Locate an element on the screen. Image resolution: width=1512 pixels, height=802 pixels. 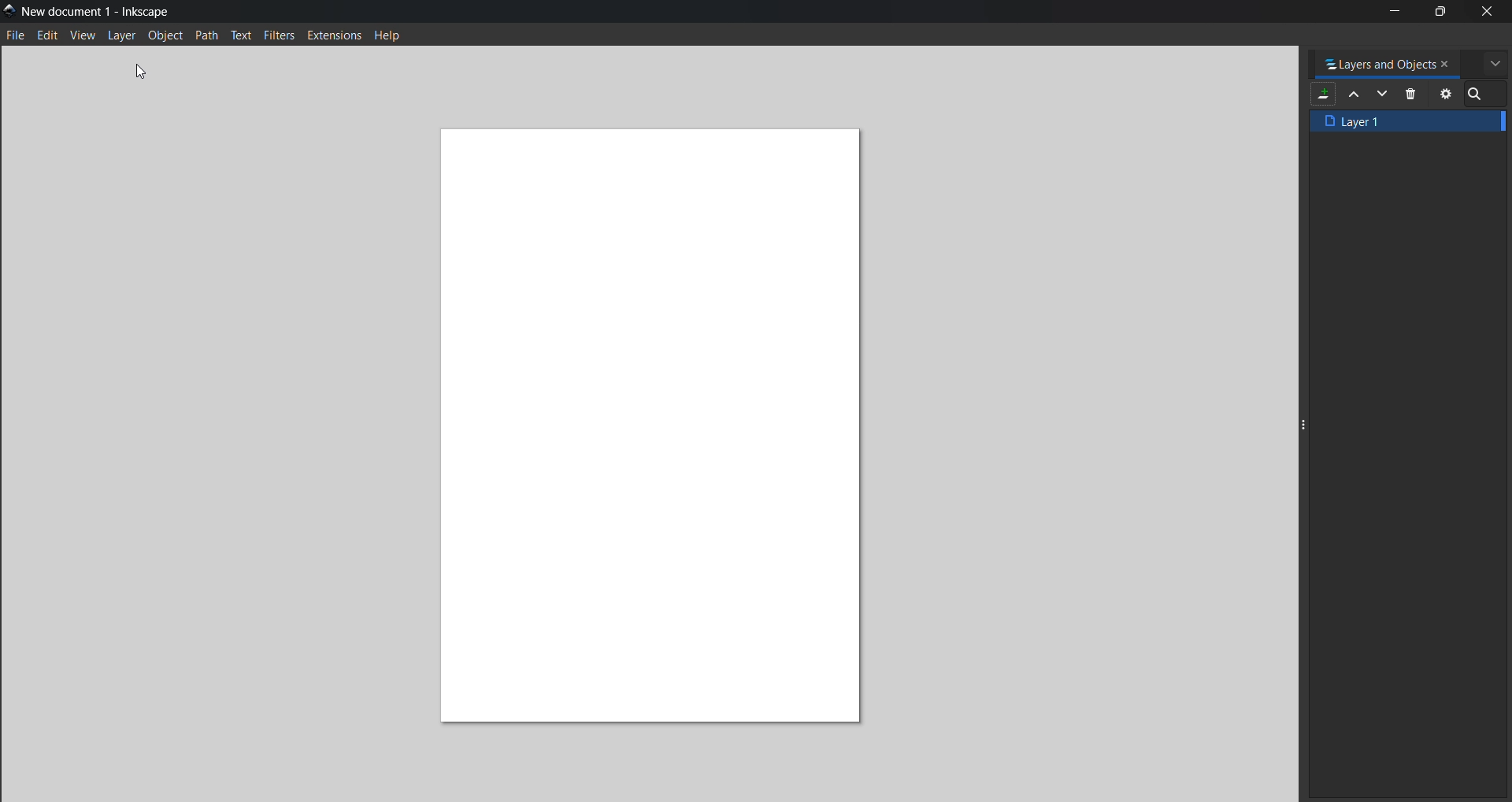
cursor is located at coordinates (151, 66).